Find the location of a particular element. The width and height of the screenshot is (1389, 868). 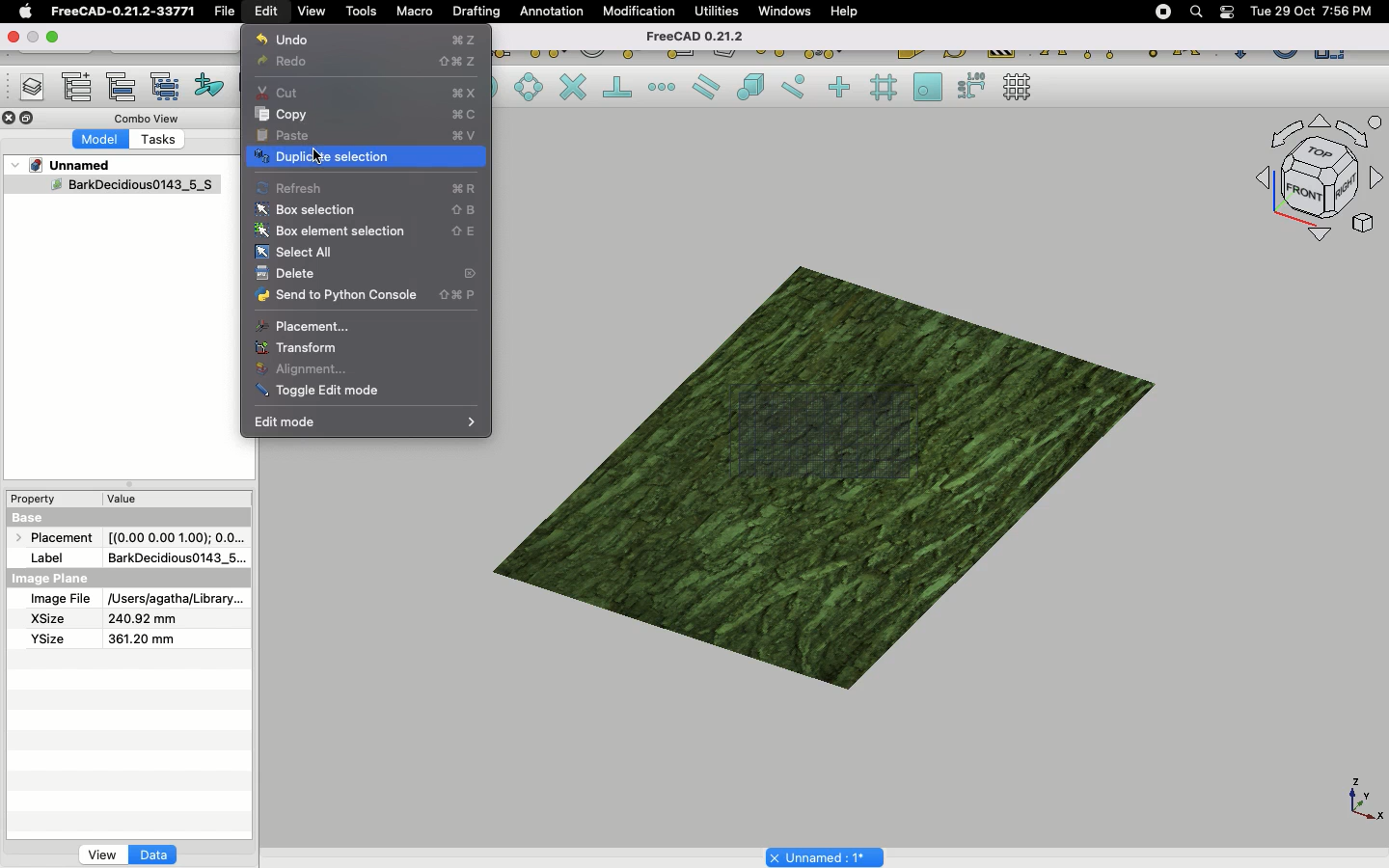

YSize is located at coordinates (45, 638).